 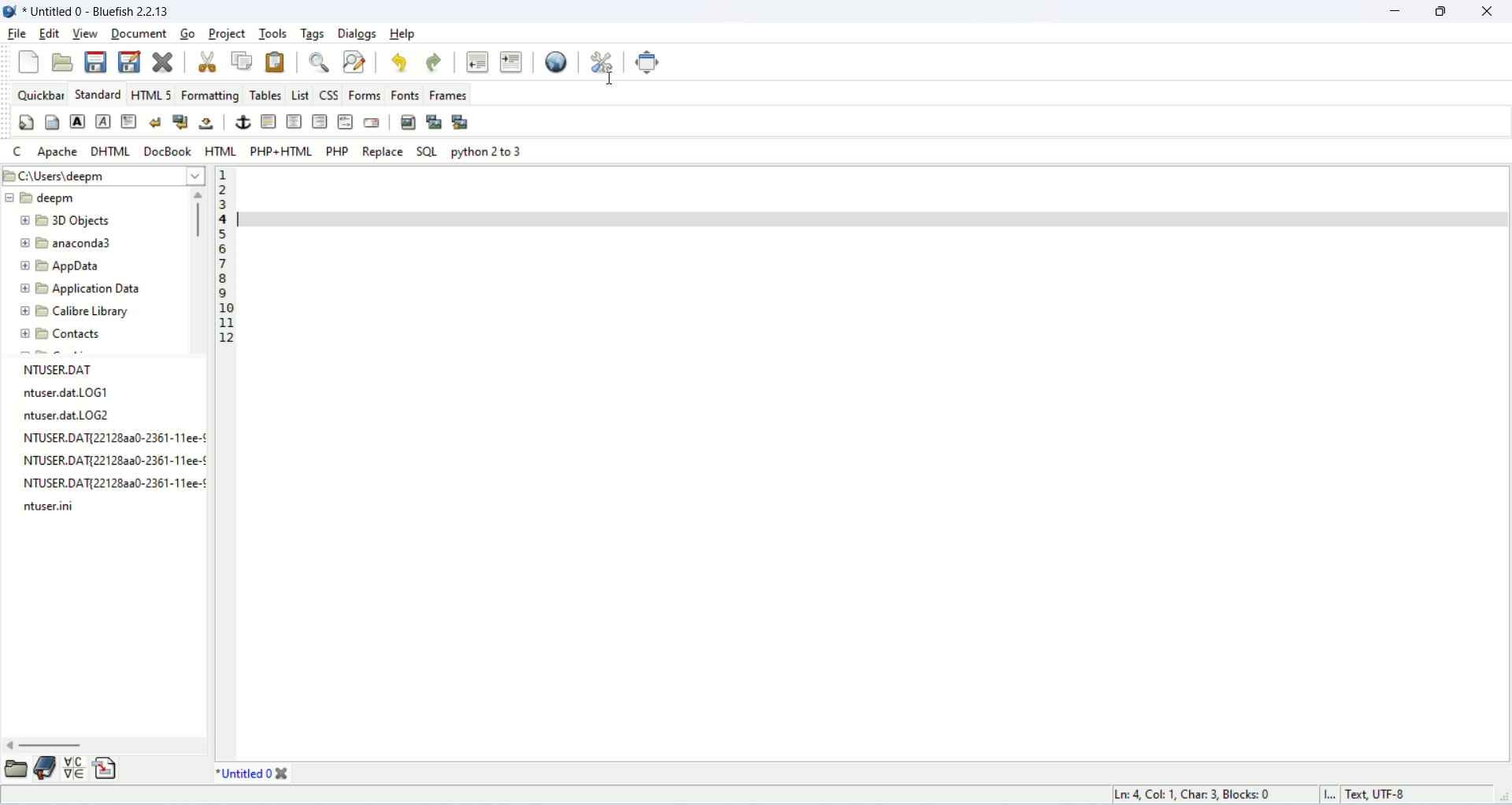 I want to click on help, so click(x=403, y=33).